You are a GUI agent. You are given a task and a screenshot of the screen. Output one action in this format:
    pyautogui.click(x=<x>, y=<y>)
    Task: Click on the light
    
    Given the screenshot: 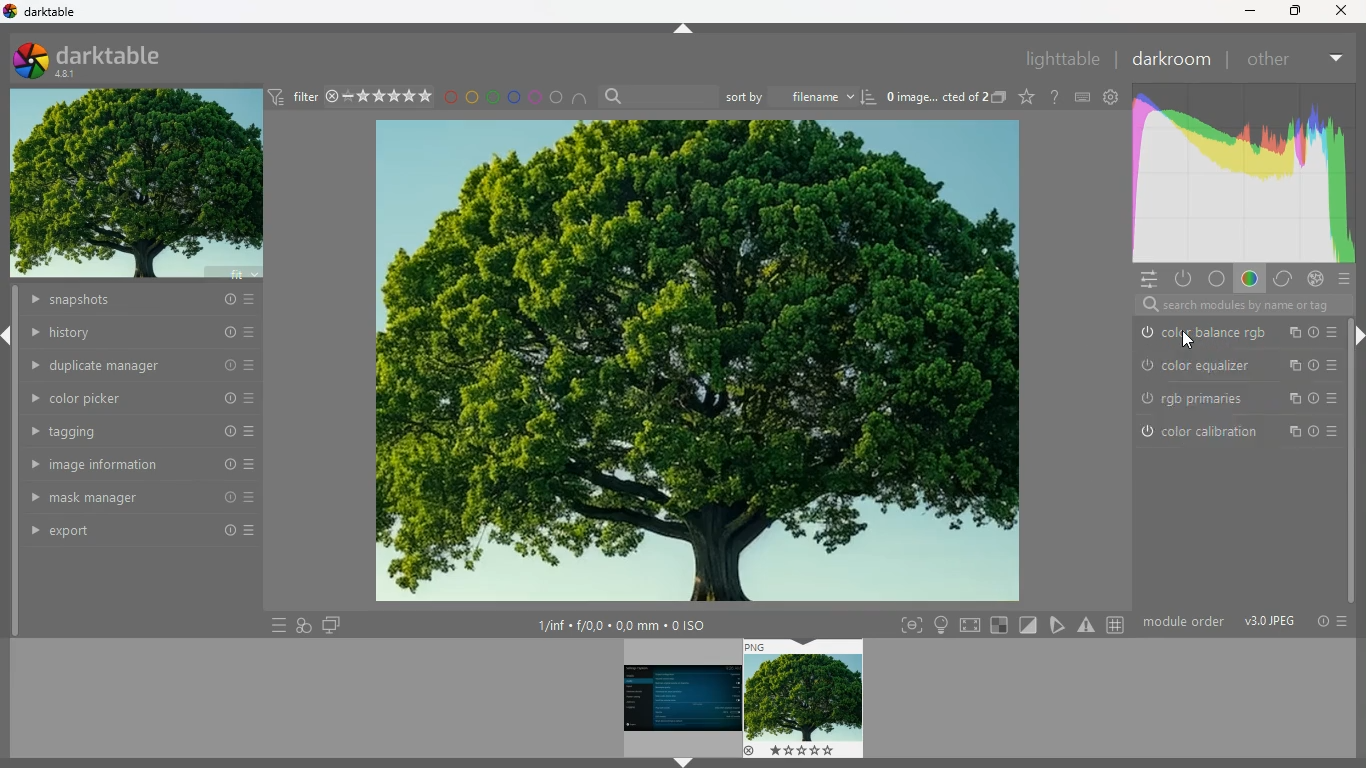 What is the action you would take?
    pyautogui.click(x=941, y=625)
    